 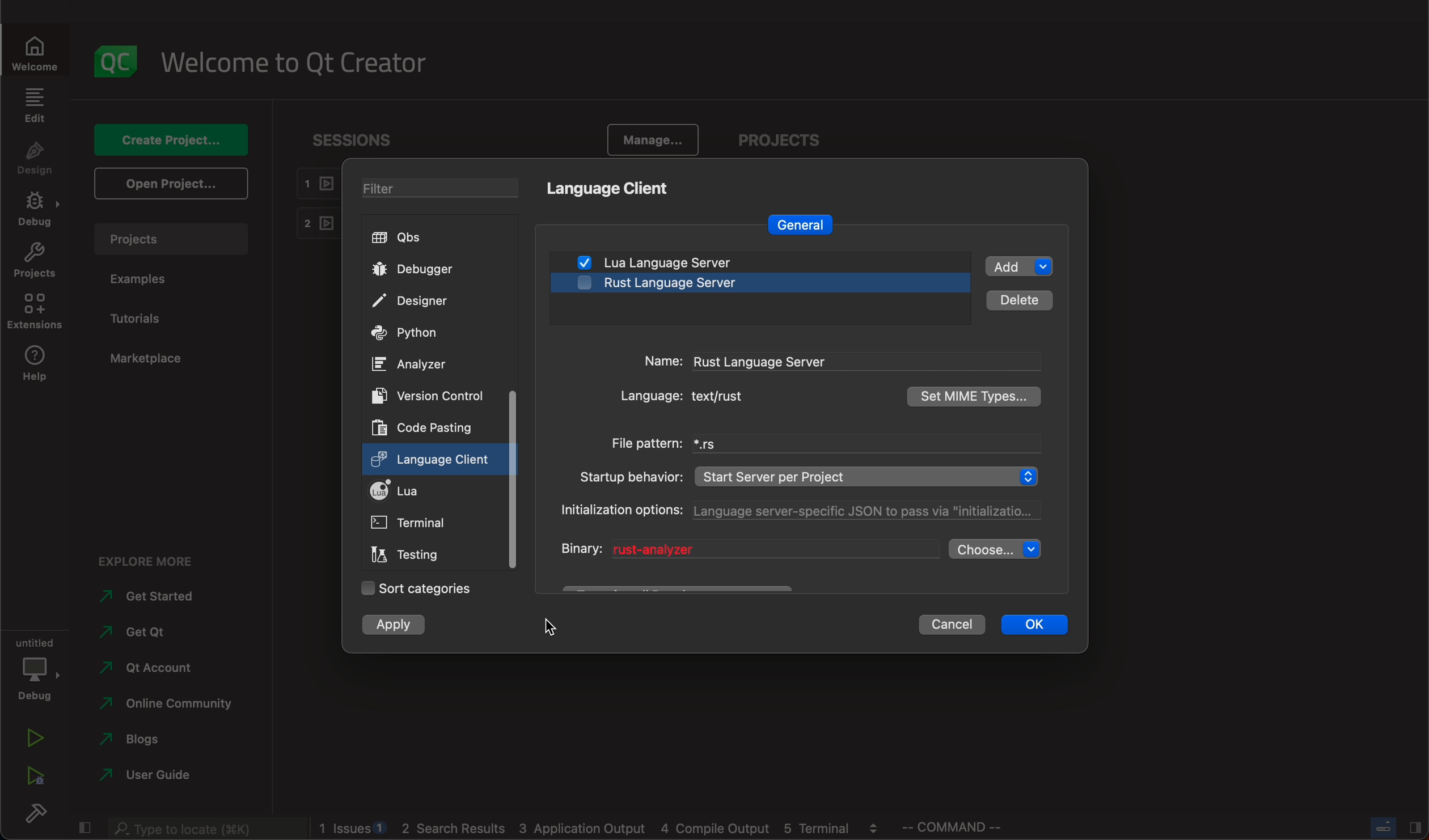 I want to click on startup, so click(x=809, y=474).